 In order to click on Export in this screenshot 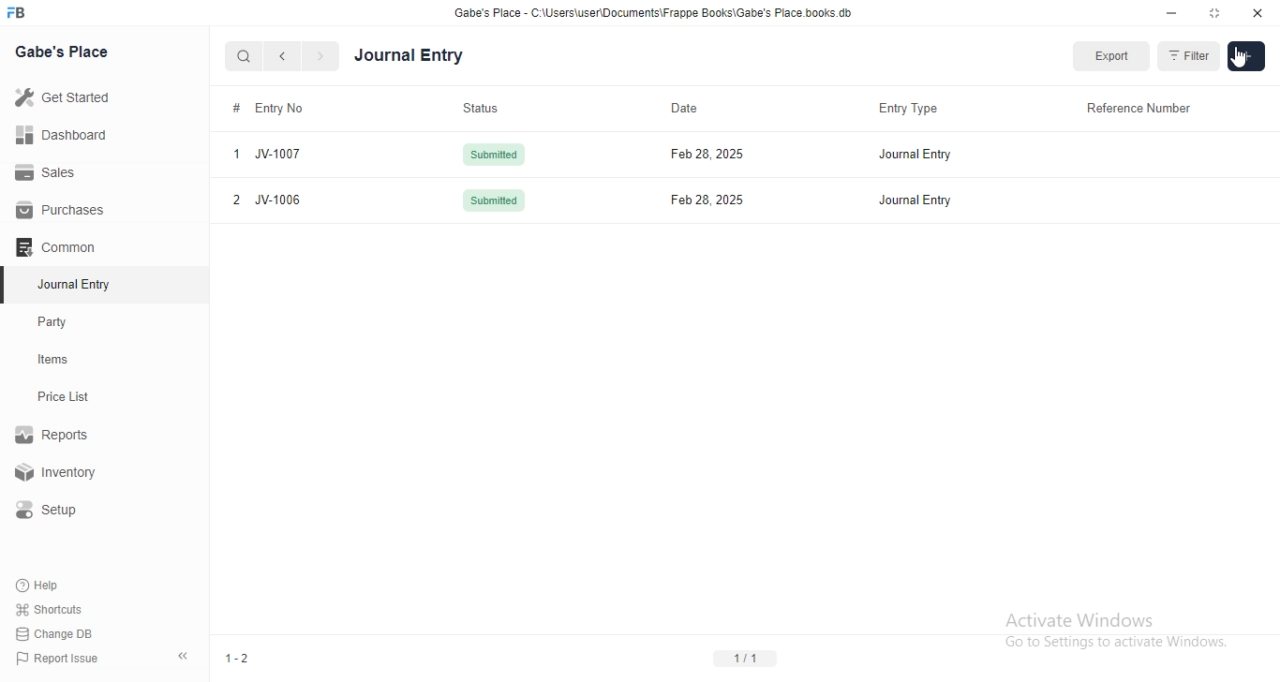, I will do `click(1110, 56)`.